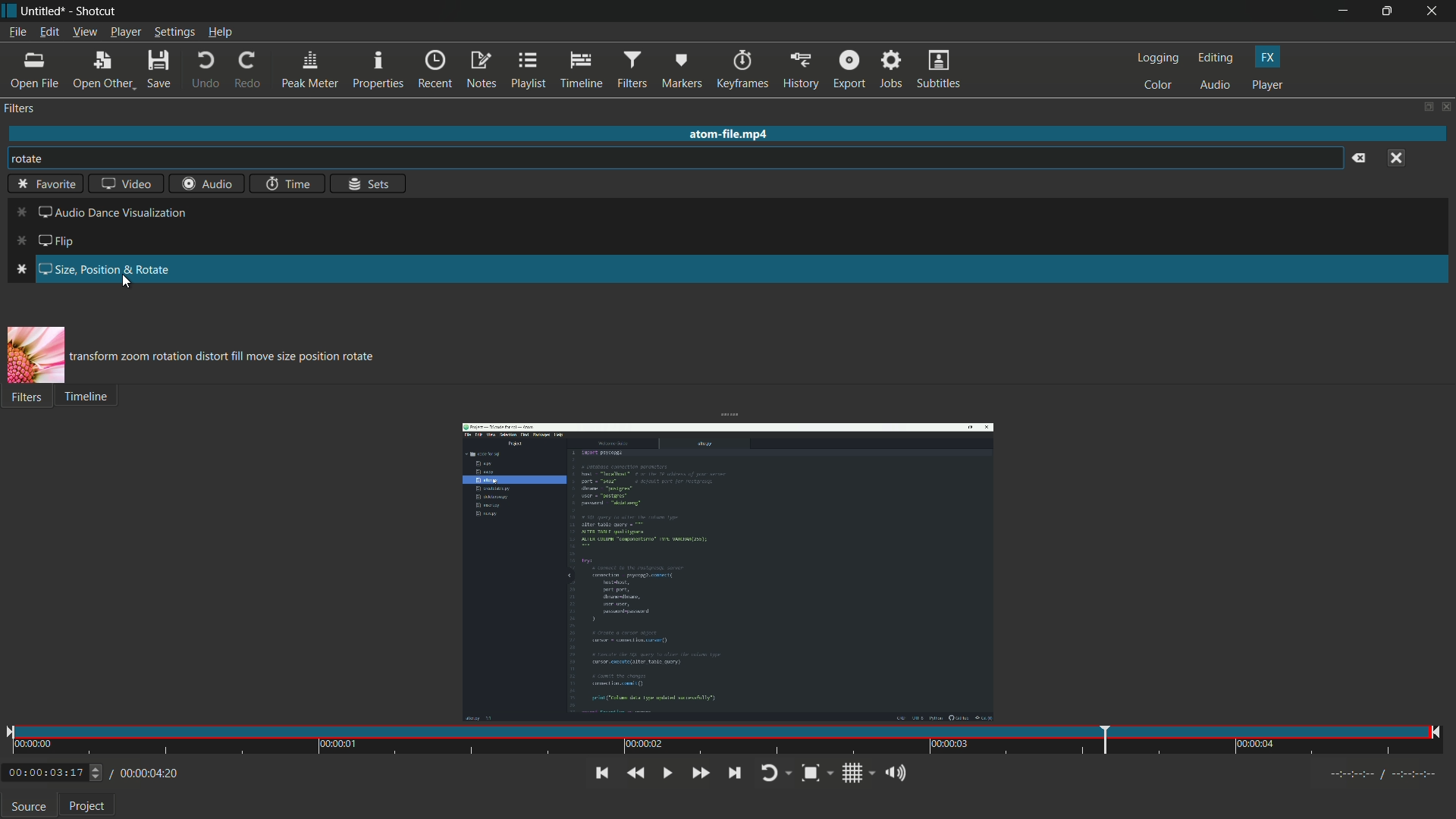 Image resolution: width=1456 pixels, height=819 pixels. Describe the element at coordinates (95, 13) in the screenshot. I see `shotcut` at that location.